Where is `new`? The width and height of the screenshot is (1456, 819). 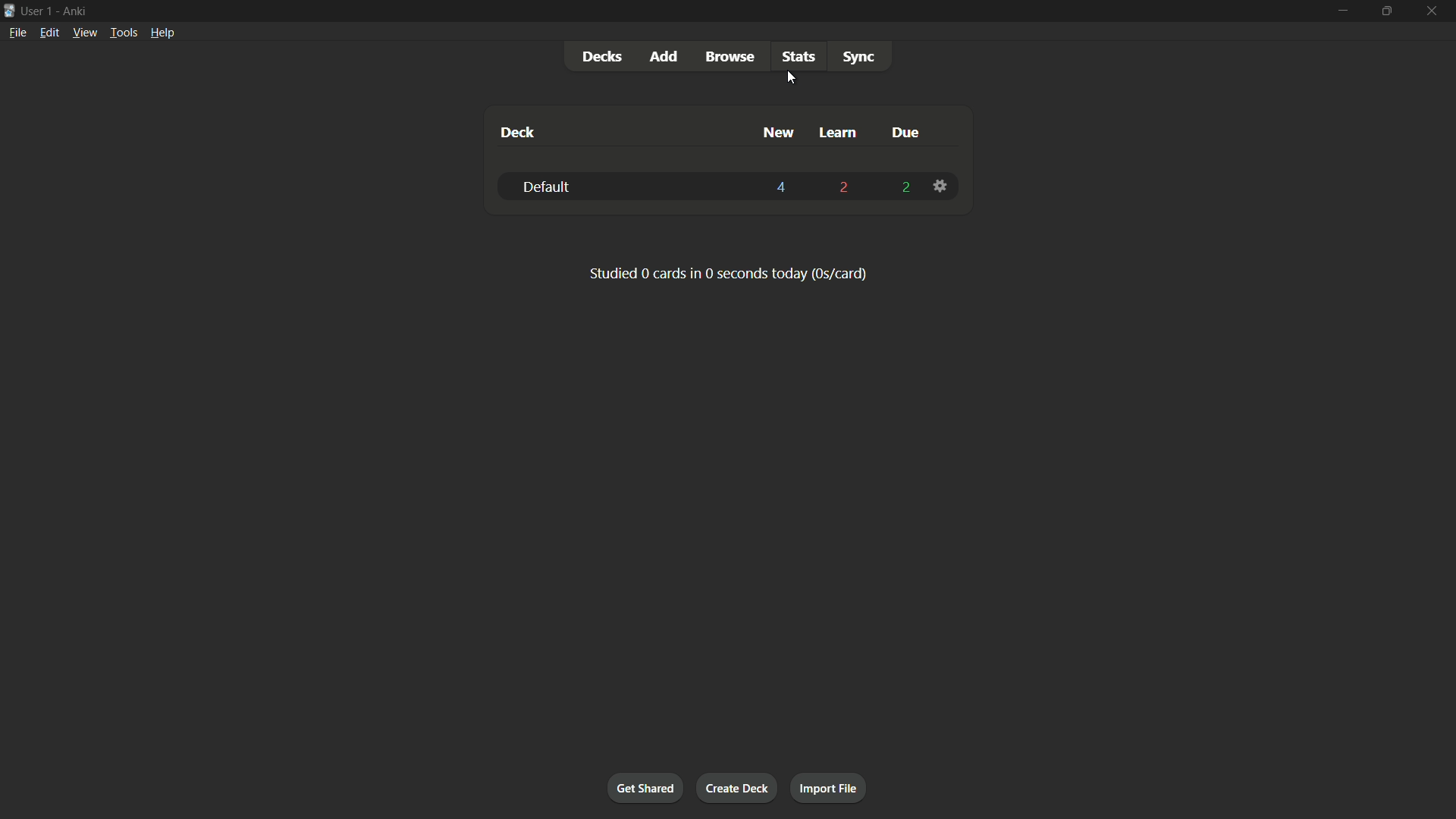 new is located at coordinates (777, 133).